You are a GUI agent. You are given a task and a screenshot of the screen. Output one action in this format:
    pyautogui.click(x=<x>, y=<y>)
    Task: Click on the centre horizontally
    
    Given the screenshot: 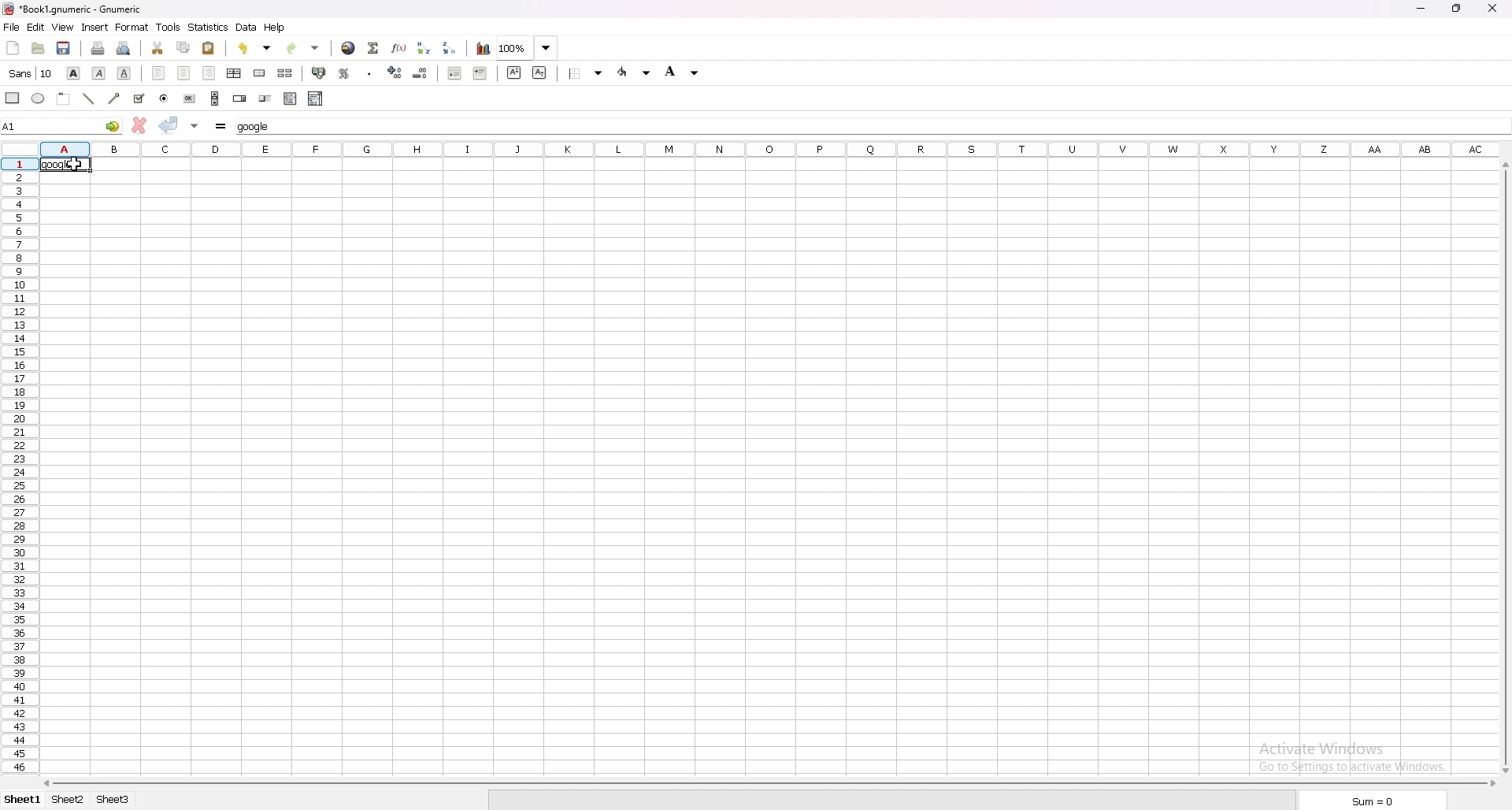 What is the action you would take?
    pyautogui.click(x=235, y=72)
    